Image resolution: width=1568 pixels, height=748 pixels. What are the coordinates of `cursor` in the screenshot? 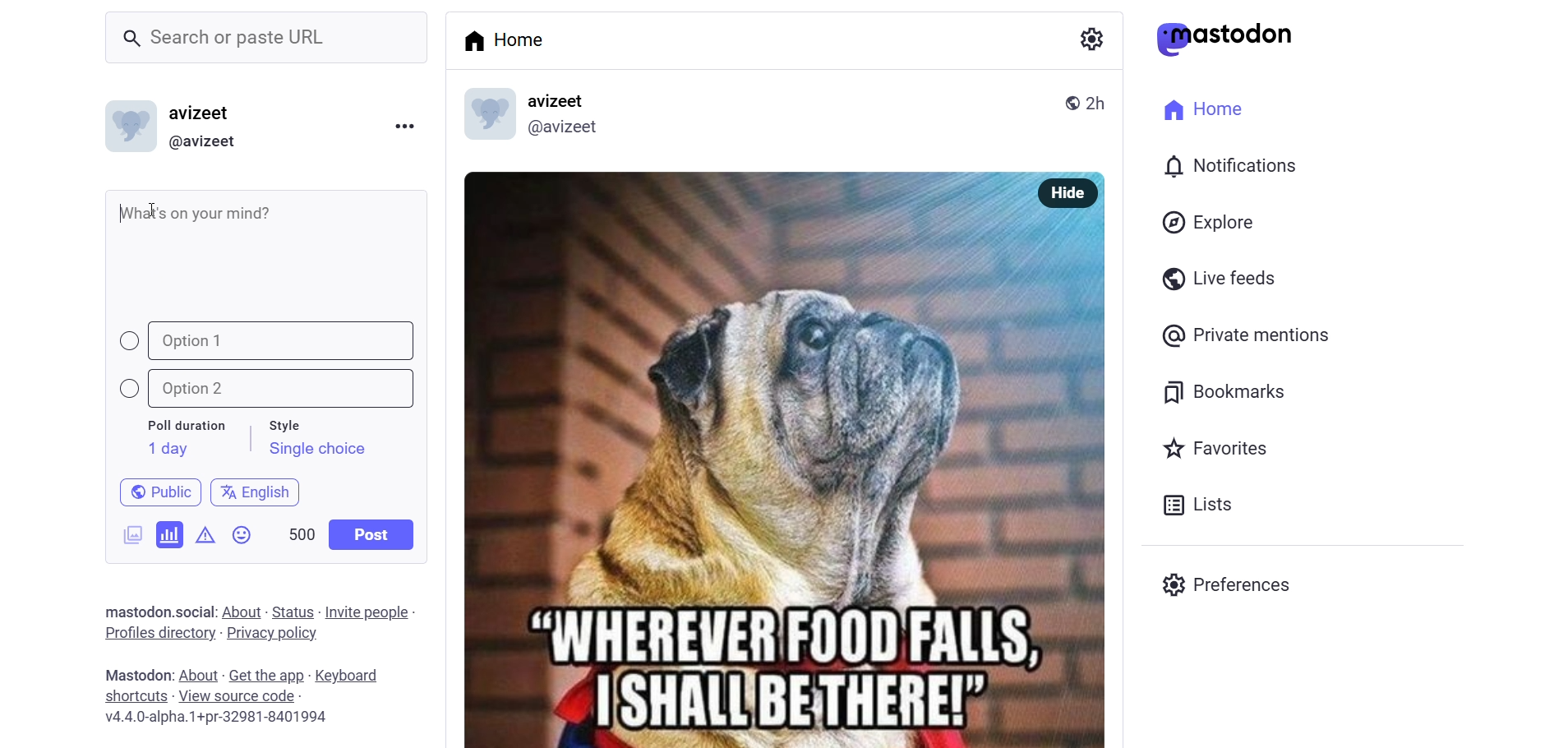 It's located at (157, 211).